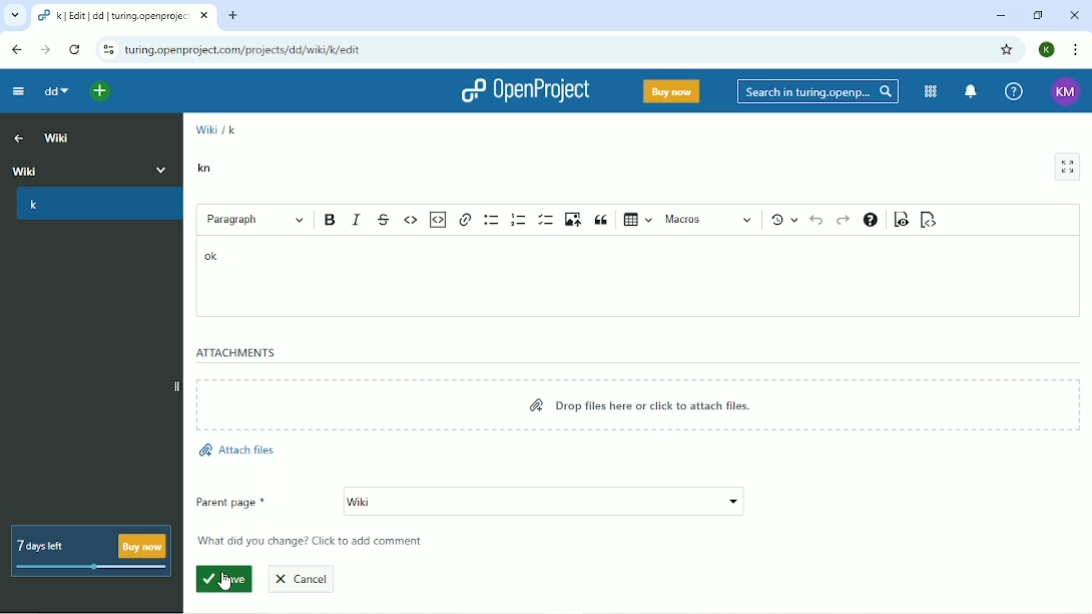 The height and width of the screenshot is (614, 1092). What do you see at coordinates (106, 50) in the screenshot?
I see `View site information` at bounding box center [106, 50].